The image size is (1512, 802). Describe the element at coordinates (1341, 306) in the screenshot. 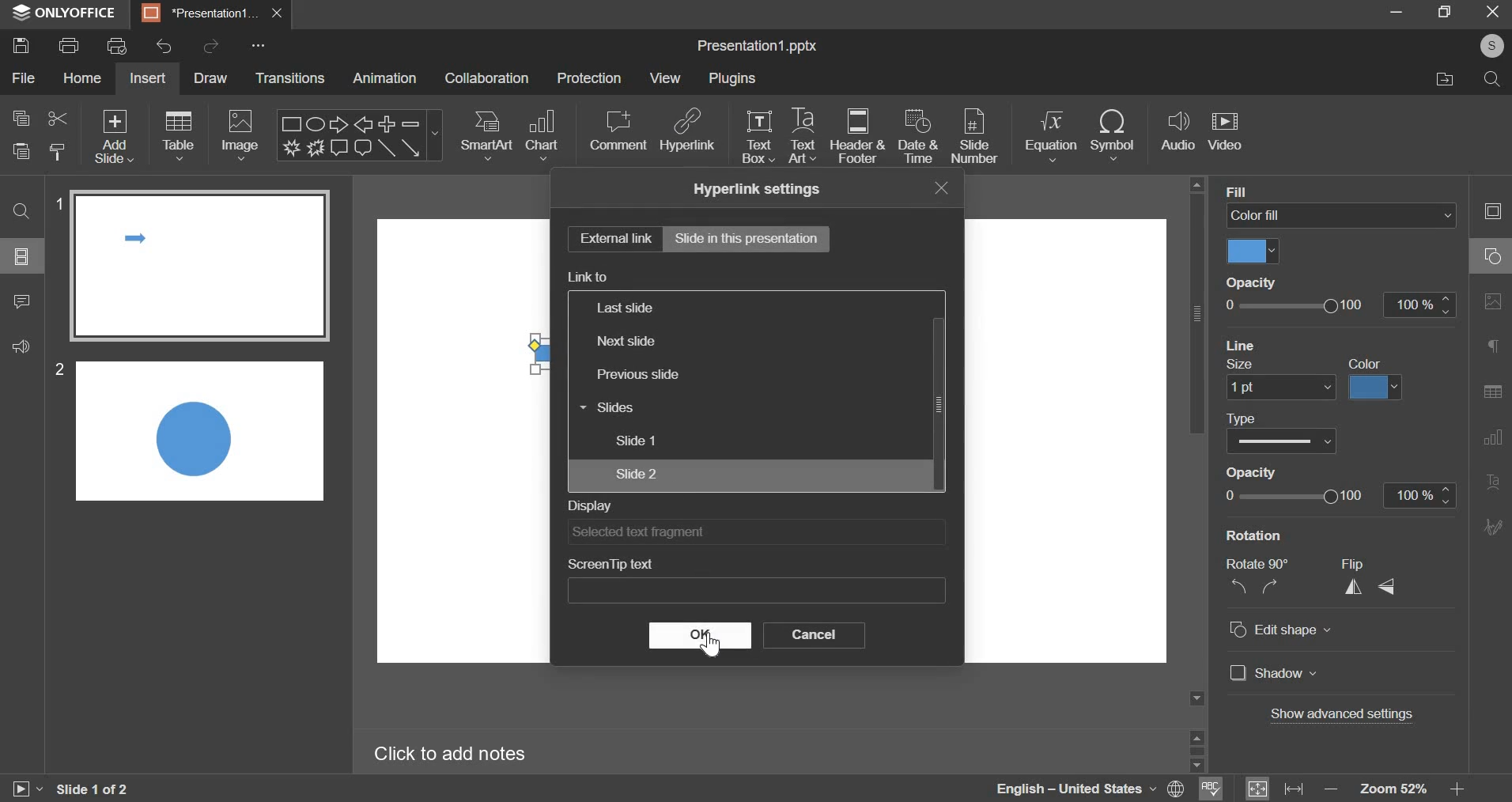

I see `opacity slider from 0 to 100` at that location.